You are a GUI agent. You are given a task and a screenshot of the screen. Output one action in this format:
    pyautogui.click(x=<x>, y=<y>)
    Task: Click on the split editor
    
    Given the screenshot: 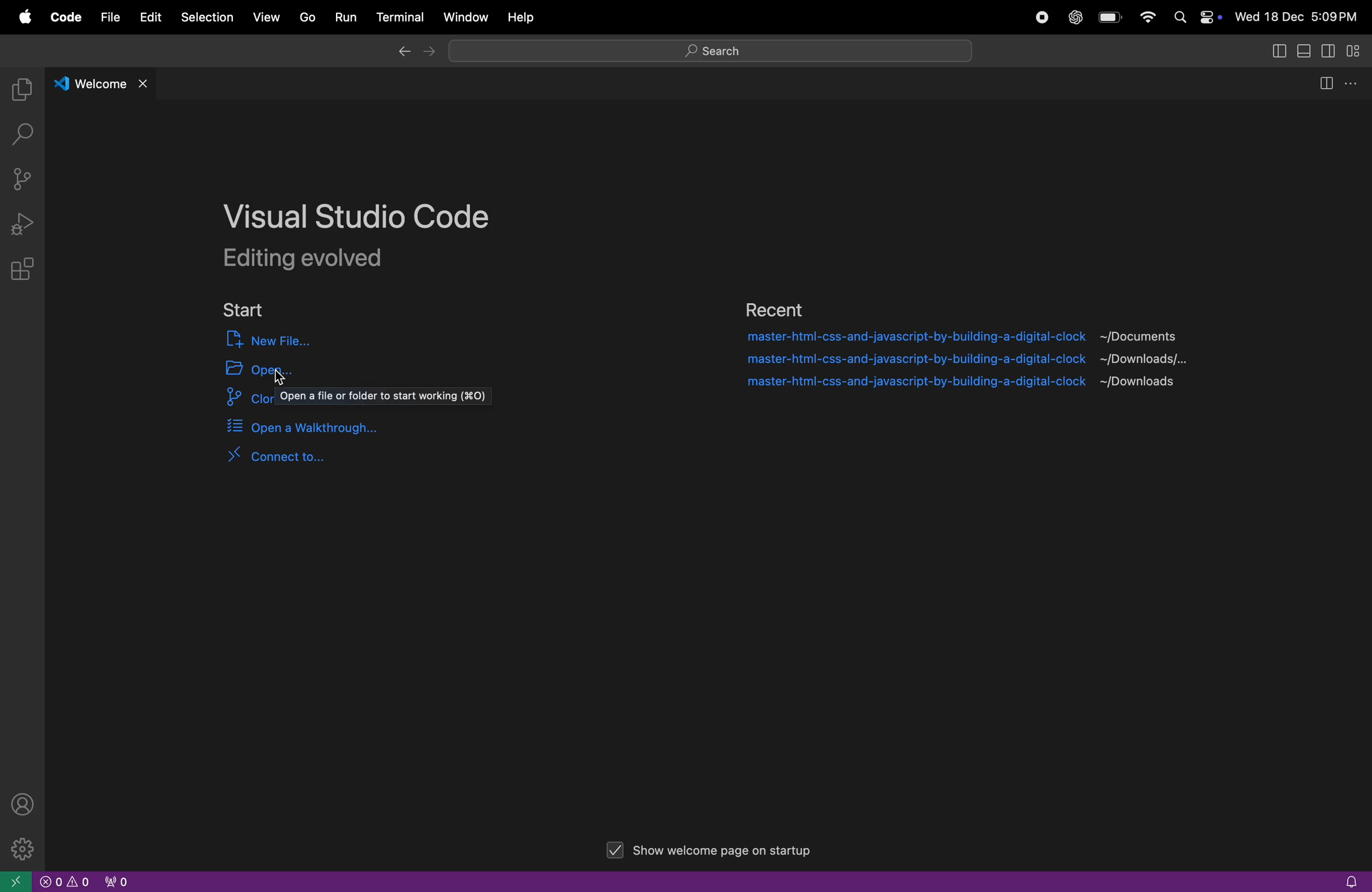 What is the action you would take?
    pyautogui.click(x=1276, y=50)
    